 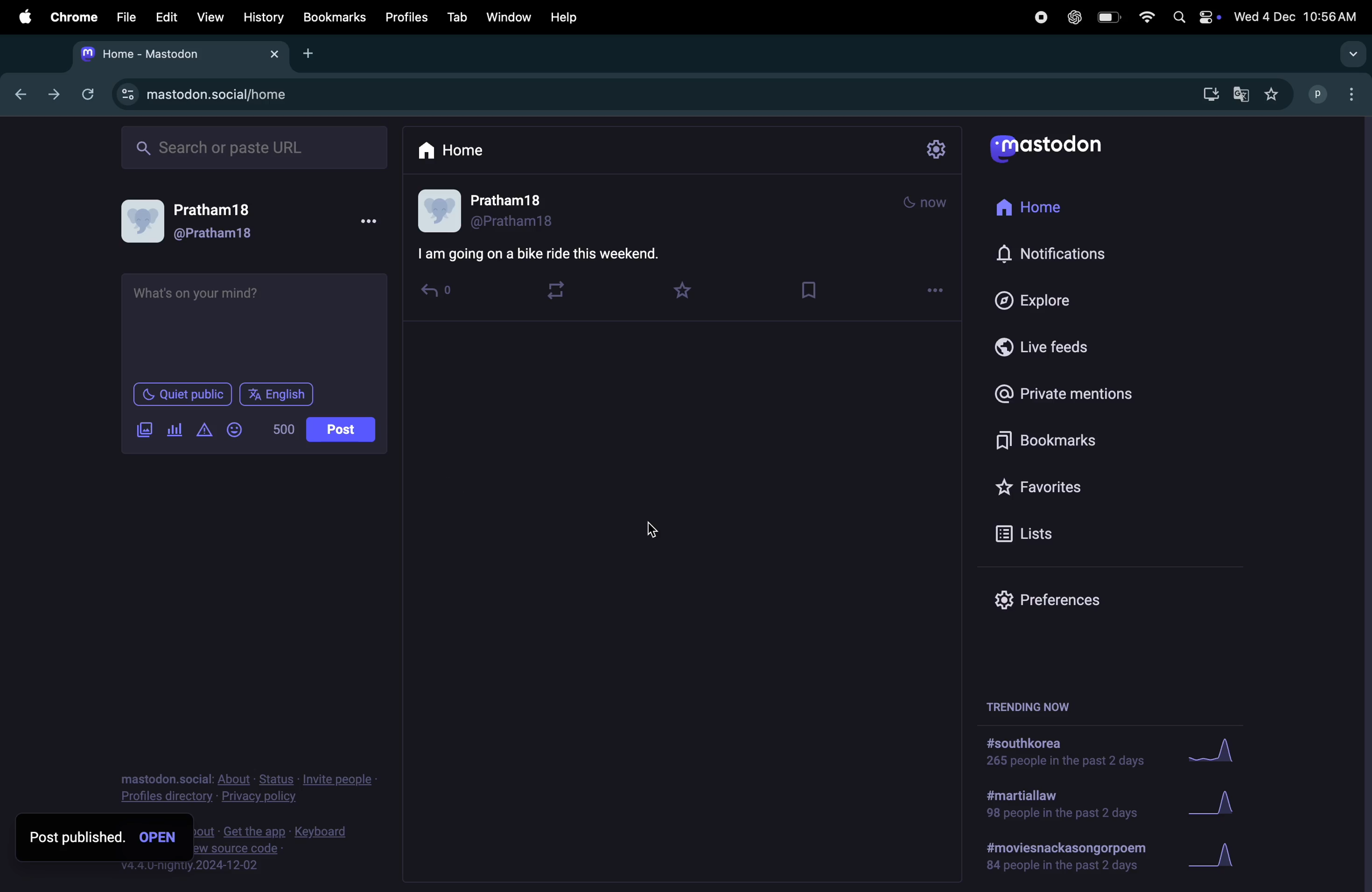 I want to click on , so click(x=284, y=858).